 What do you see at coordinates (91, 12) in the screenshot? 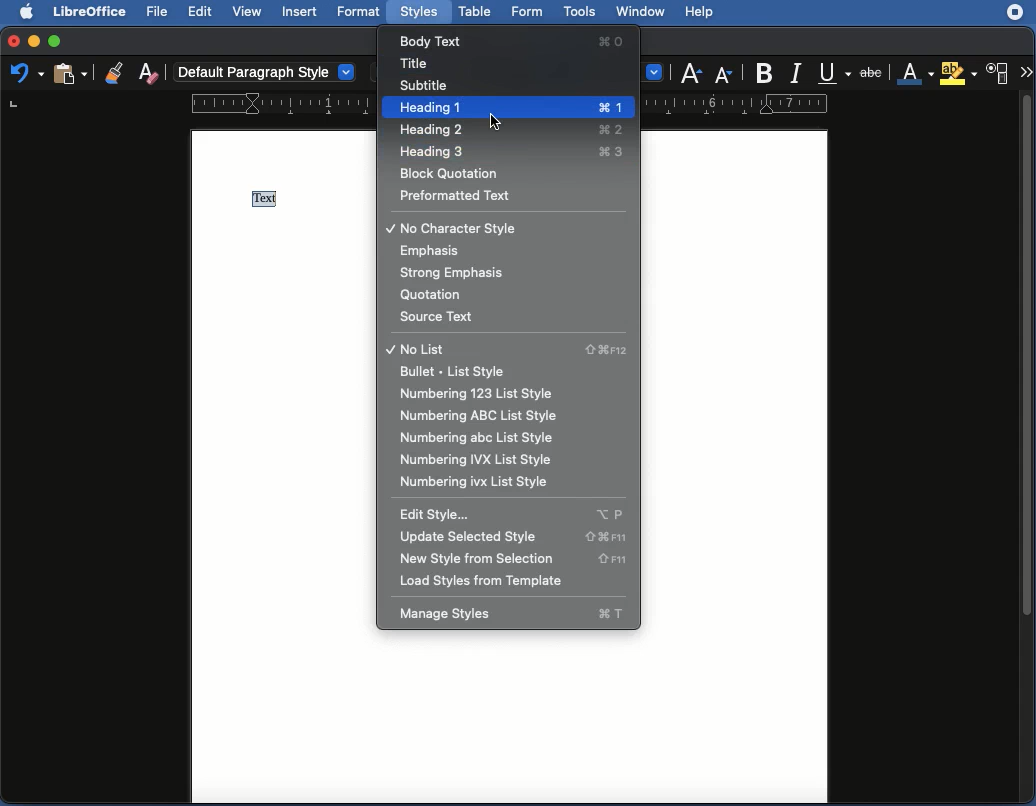
I see `LibreOffice` at bounding box center [91, 12].